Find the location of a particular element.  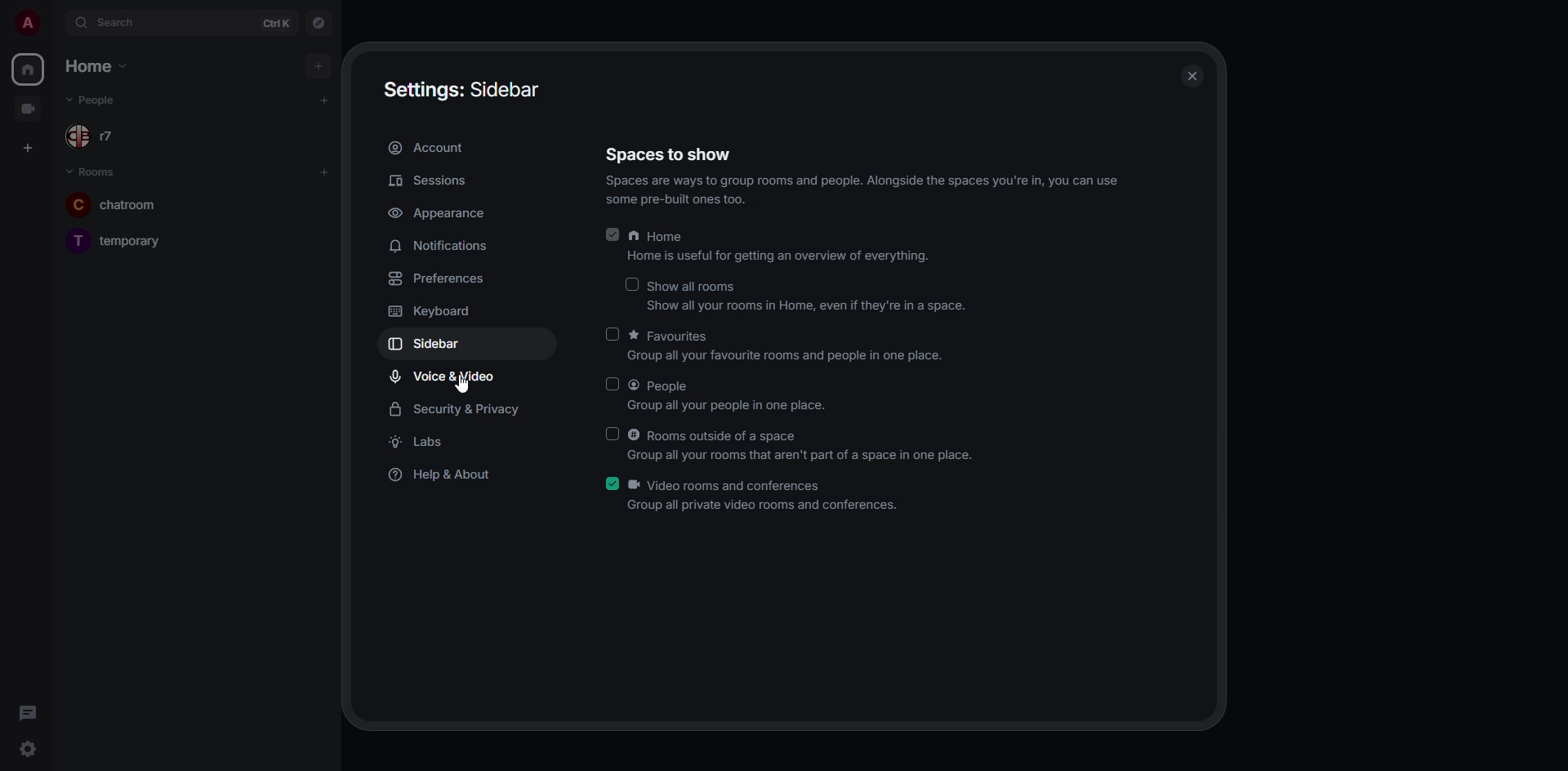

notifications is located at coordinates (447, 244).